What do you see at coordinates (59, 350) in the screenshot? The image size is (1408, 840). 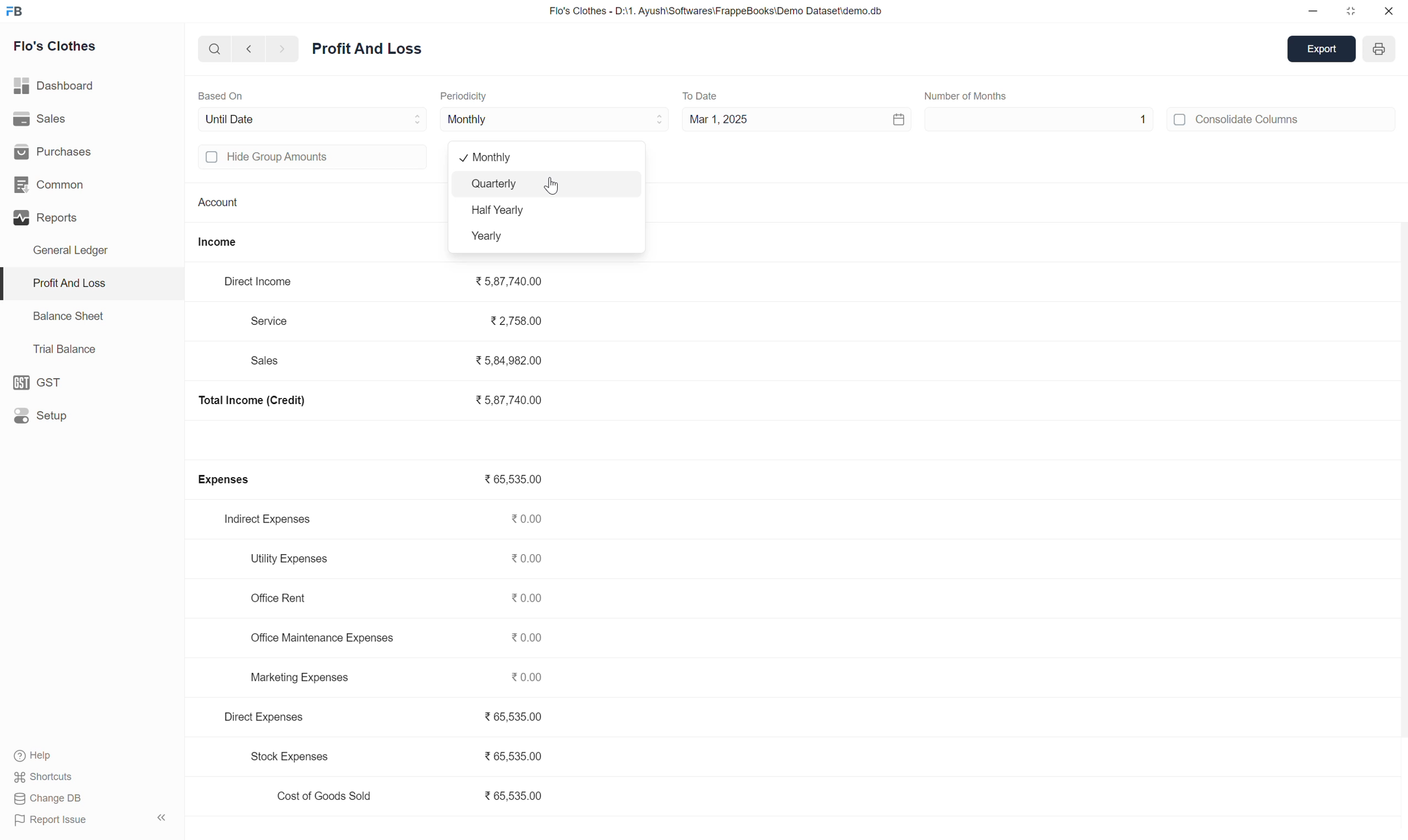 I see `Trial Balance` at bounding box center [59, 350].